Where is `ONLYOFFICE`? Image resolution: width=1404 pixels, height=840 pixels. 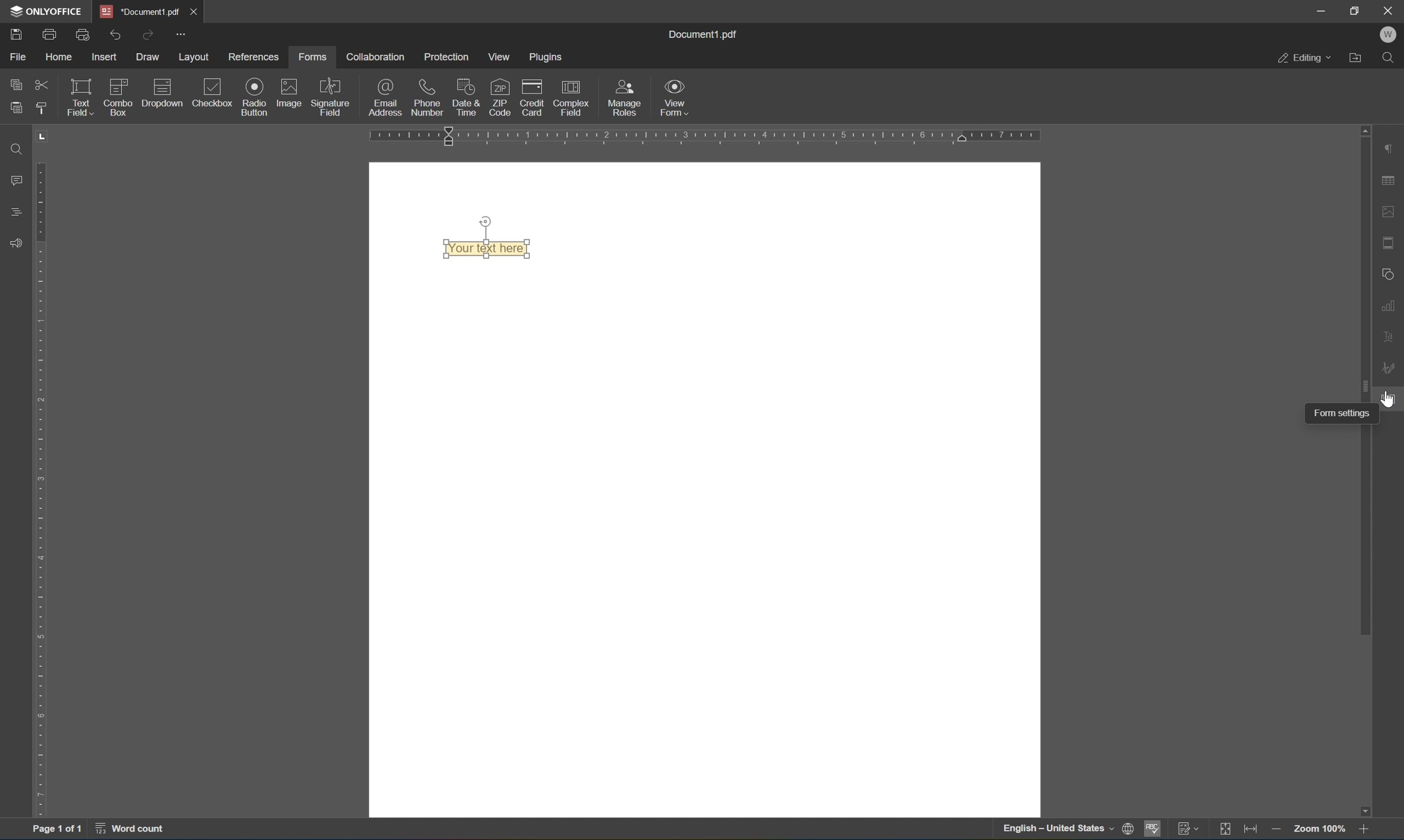 ONLYOFFICE is located at coordinates (46, 11).